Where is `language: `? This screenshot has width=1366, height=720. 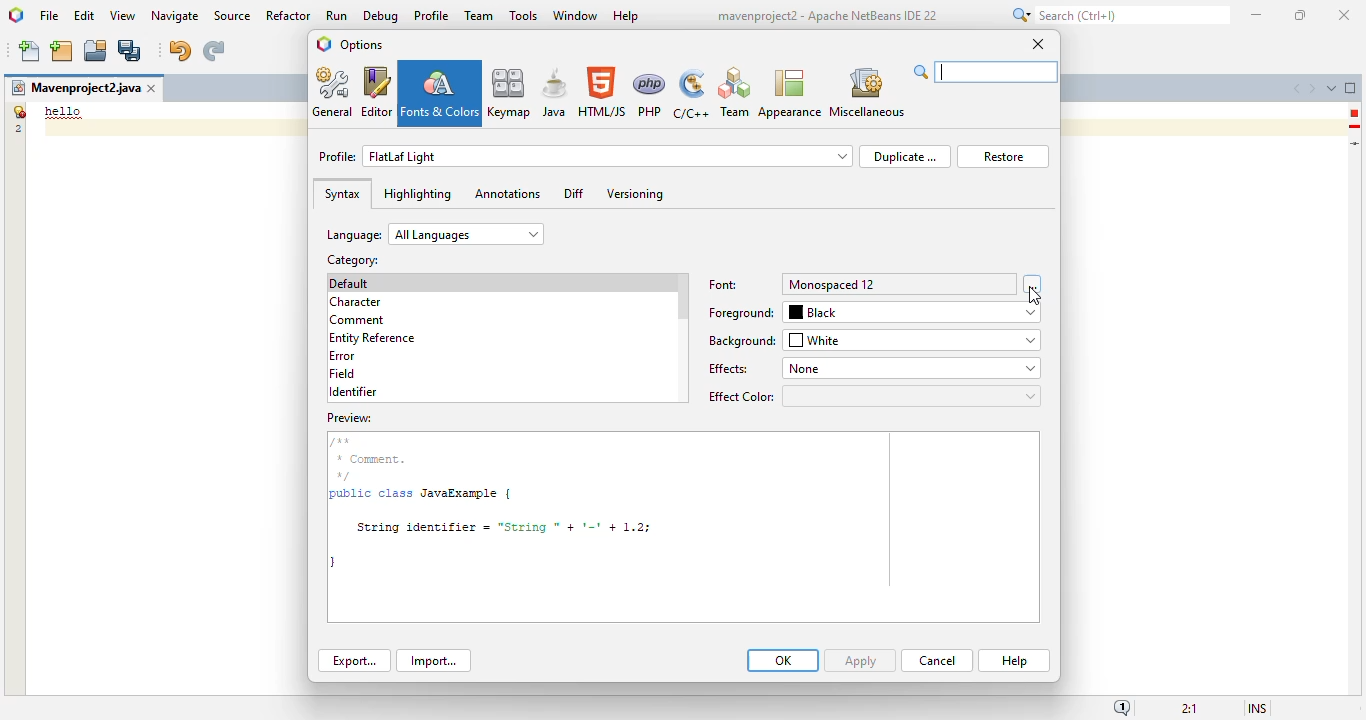 language:  is located at coordinates (435, 234).